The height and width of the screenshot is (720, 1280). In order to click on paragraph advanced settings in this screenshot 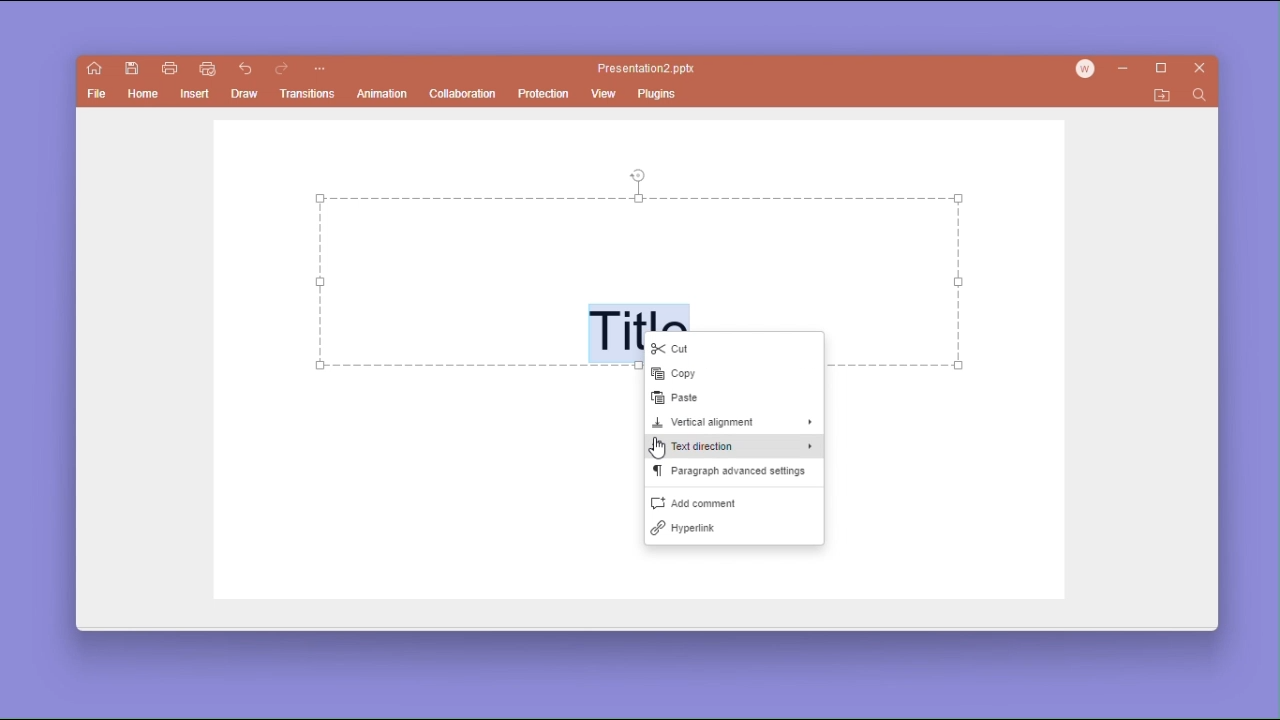, I will do `click(732, 475)`.